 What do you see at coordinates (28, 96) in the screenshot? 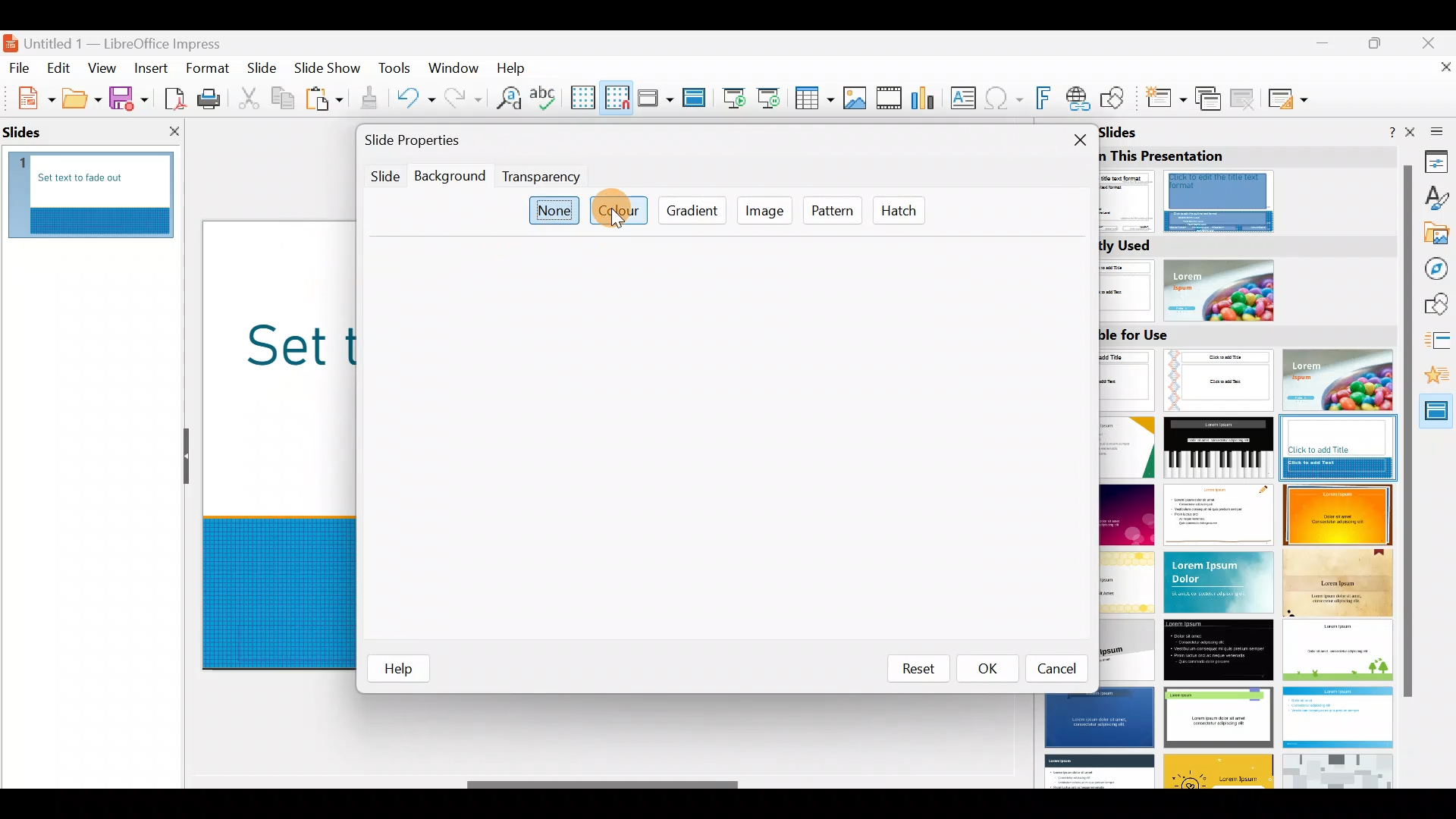
I see `New` at bounding box center [28, 96].